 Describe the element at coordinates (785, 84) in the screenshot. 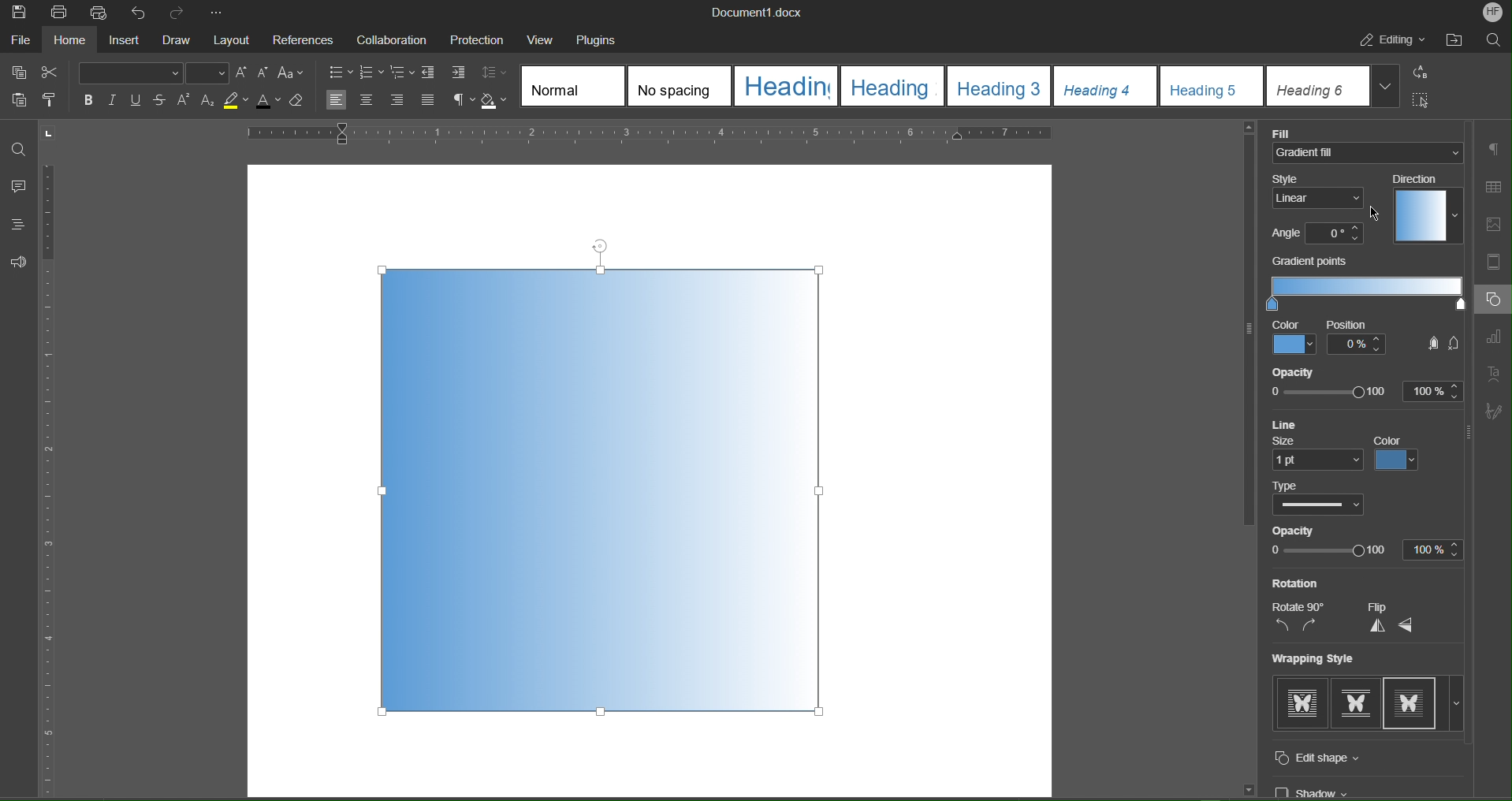

I see `Heading 1` at that location.